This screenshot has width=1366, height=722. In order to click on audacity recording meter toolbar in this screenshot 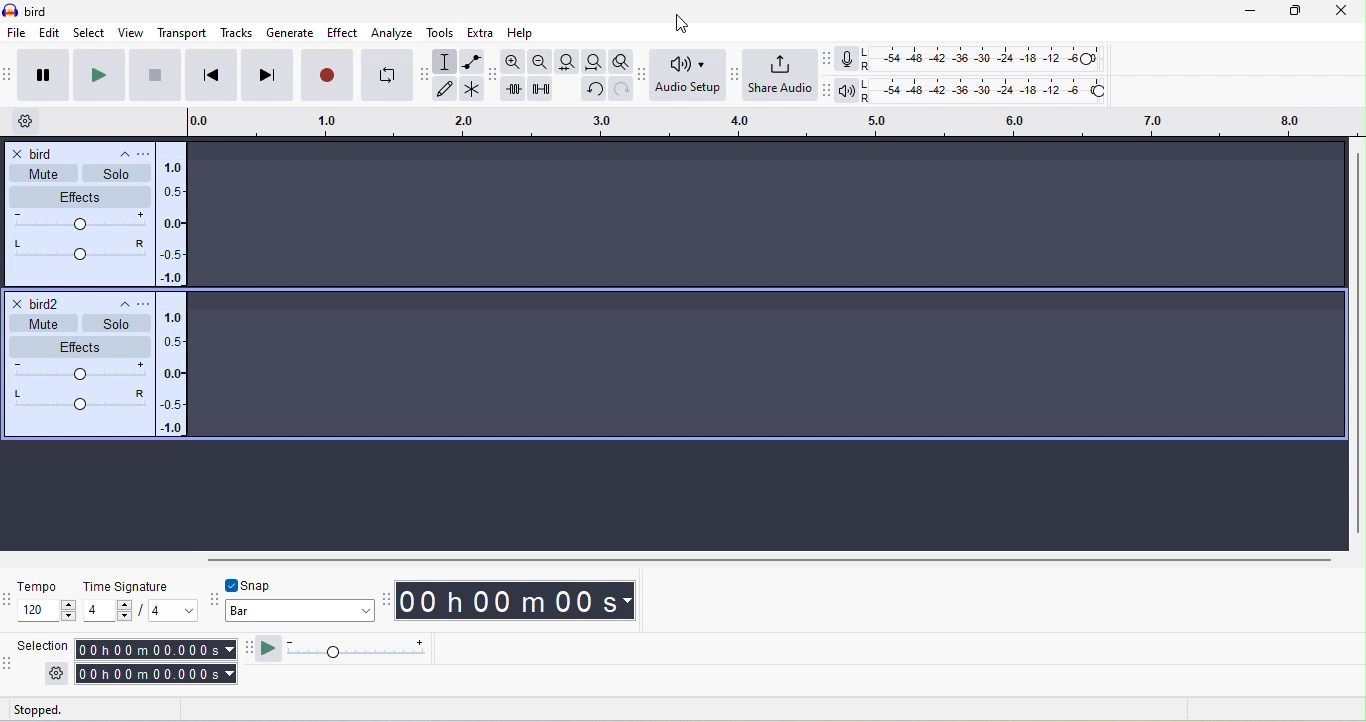, I will do `click(827, 61)`.